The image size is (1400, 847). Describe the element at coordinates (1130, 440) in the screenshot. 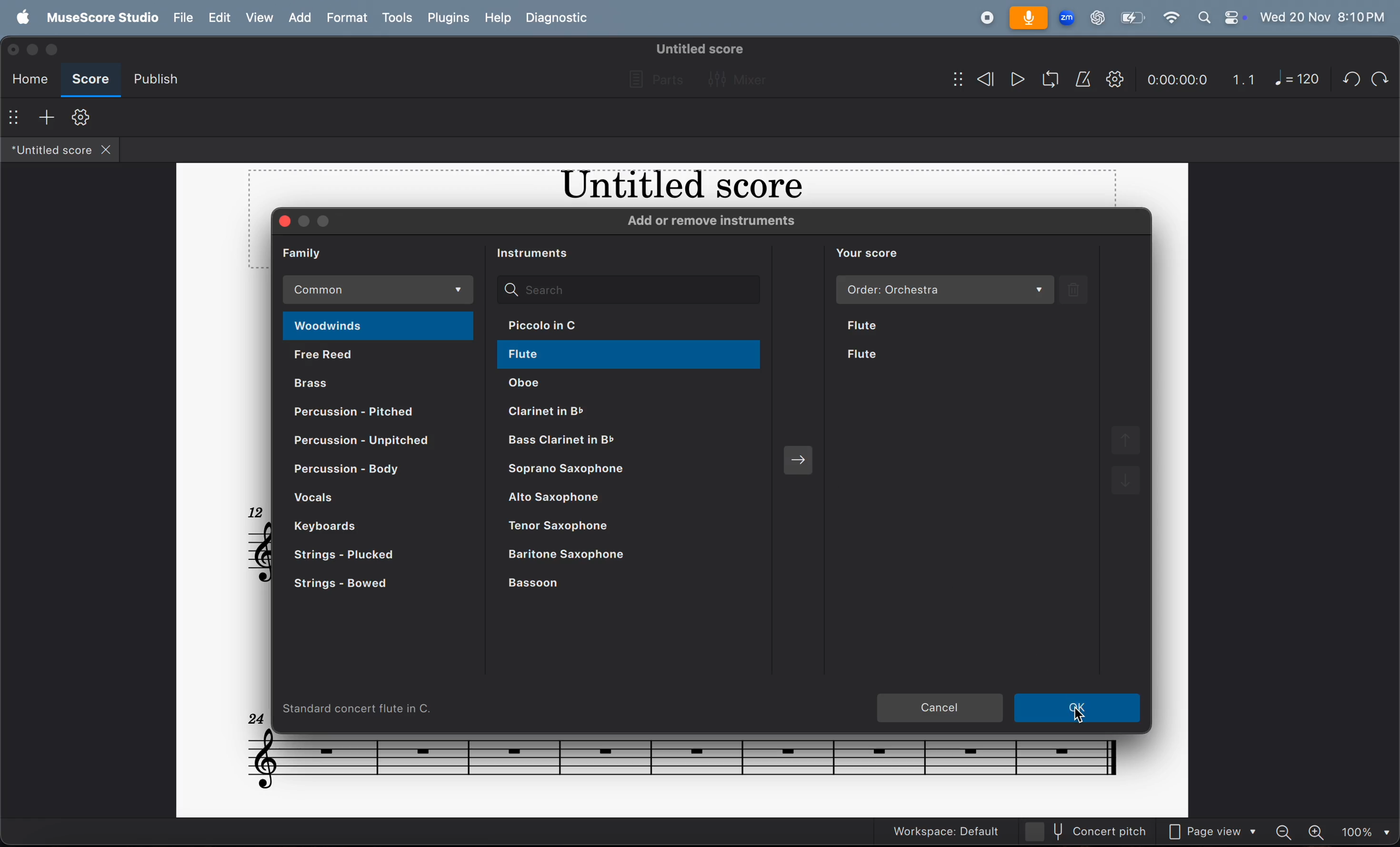

I see `move up` at that location.